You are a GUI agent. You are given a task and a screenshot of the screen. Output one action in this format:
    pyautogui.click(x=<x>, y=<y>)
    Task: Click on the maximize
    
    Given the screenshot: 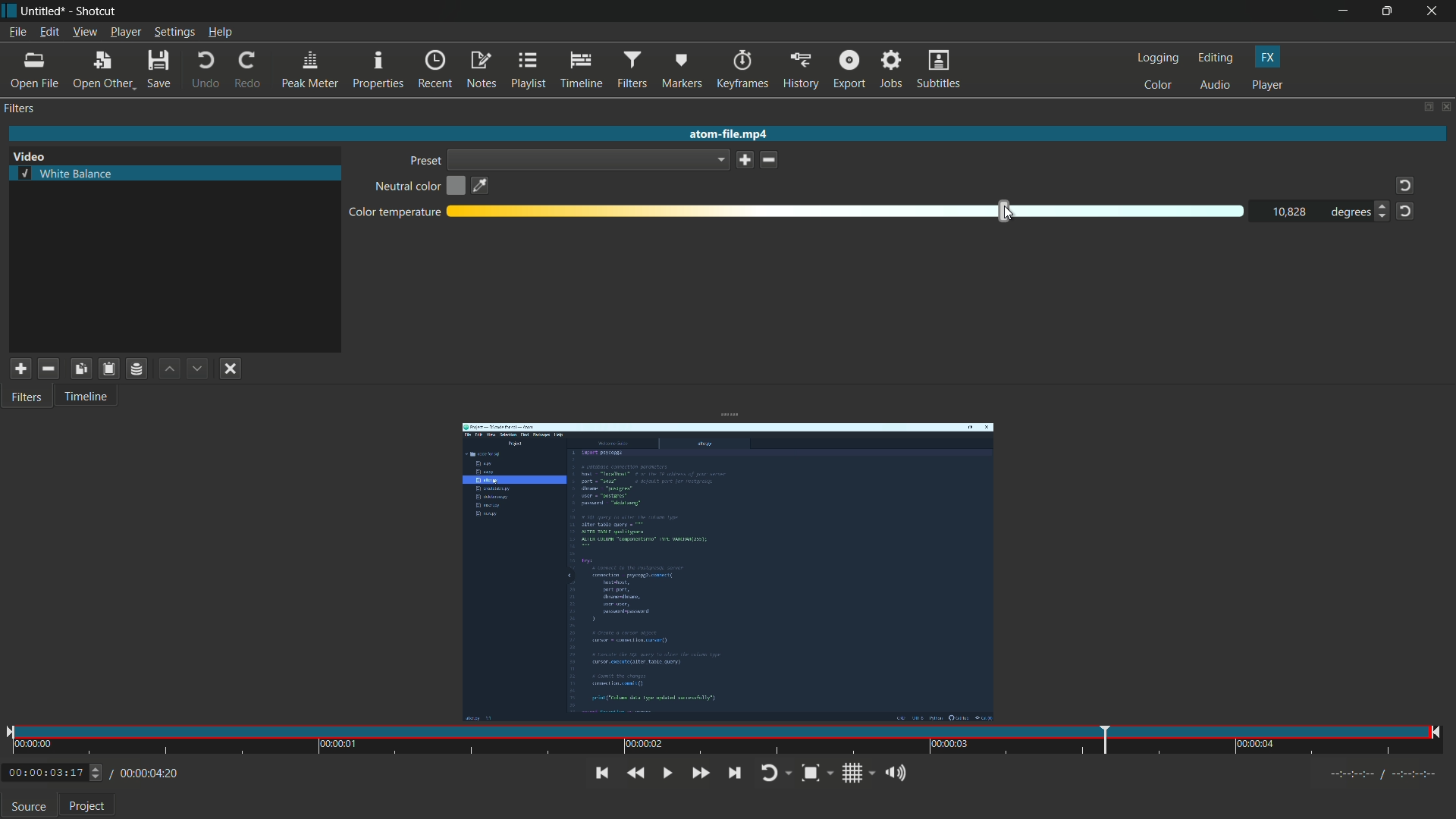 What is the action you would take?
    pyautogui.click(x=1389, y=11)
    